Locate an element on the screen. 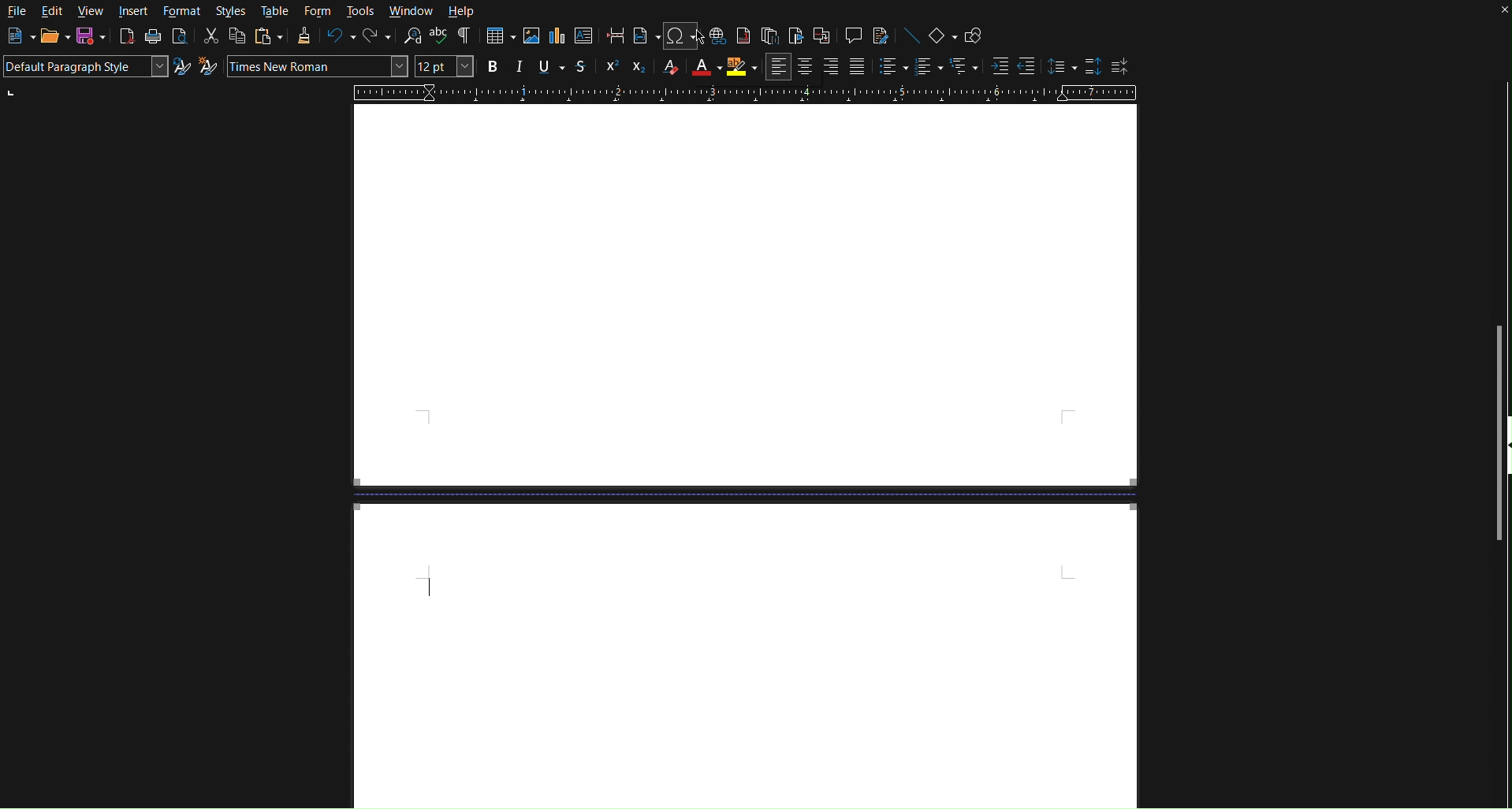  Show Track Changes Functions is located at coordinates (882, 35).